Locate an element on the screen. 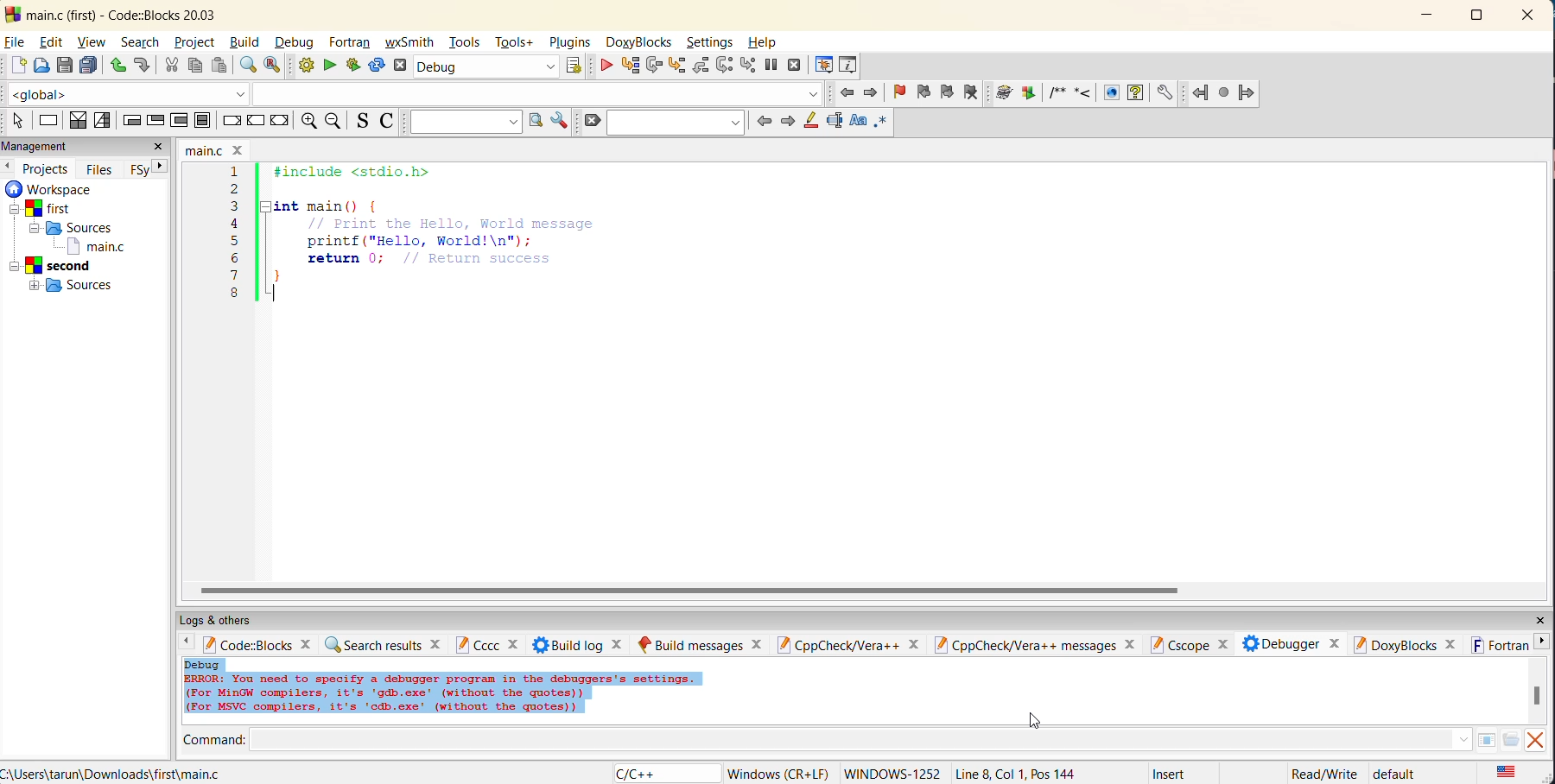  step out is located at coordinates (698, 66).